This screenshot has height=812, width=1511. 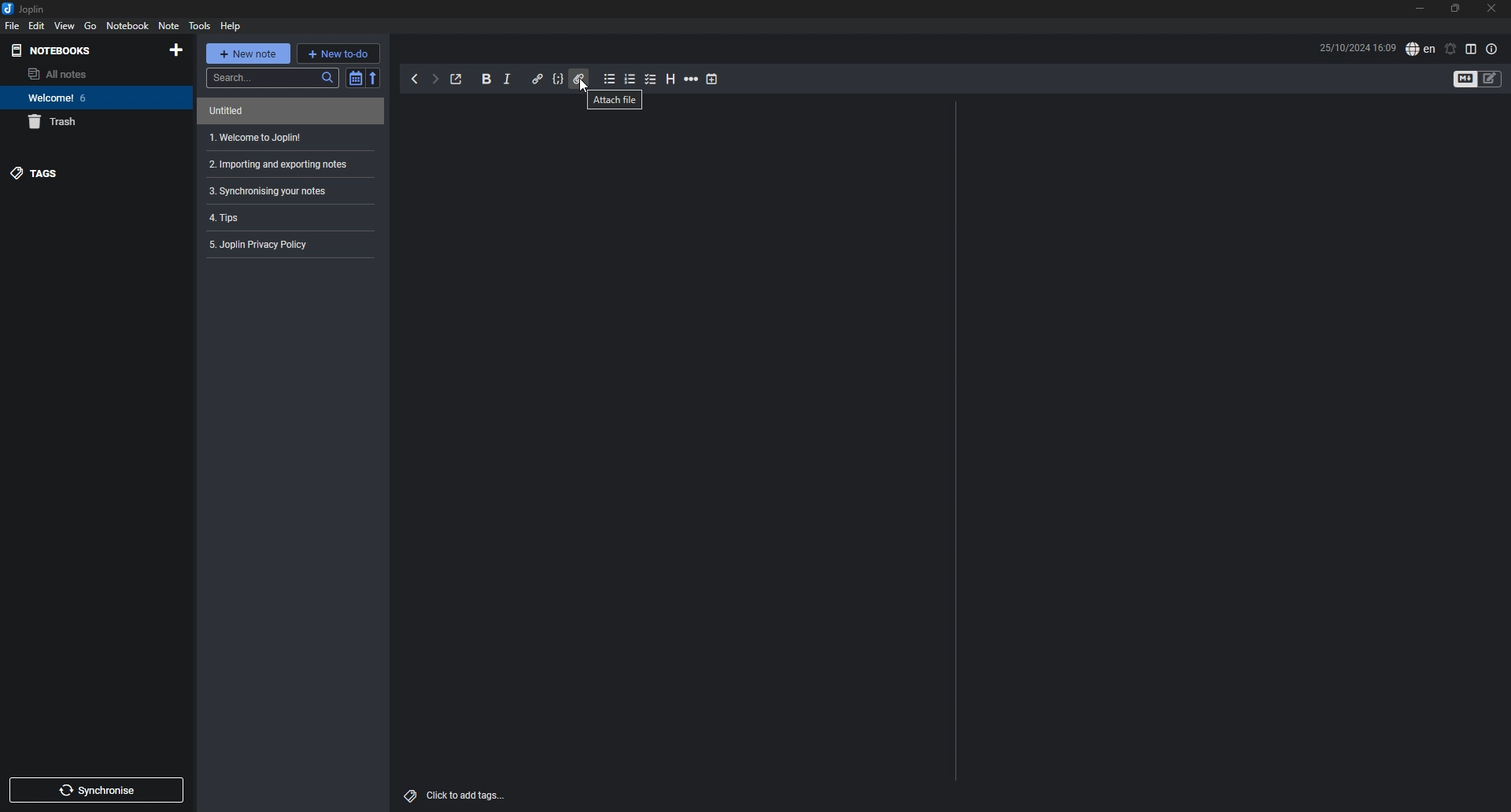 I want to click on welcome, so click(x=91, y=97).